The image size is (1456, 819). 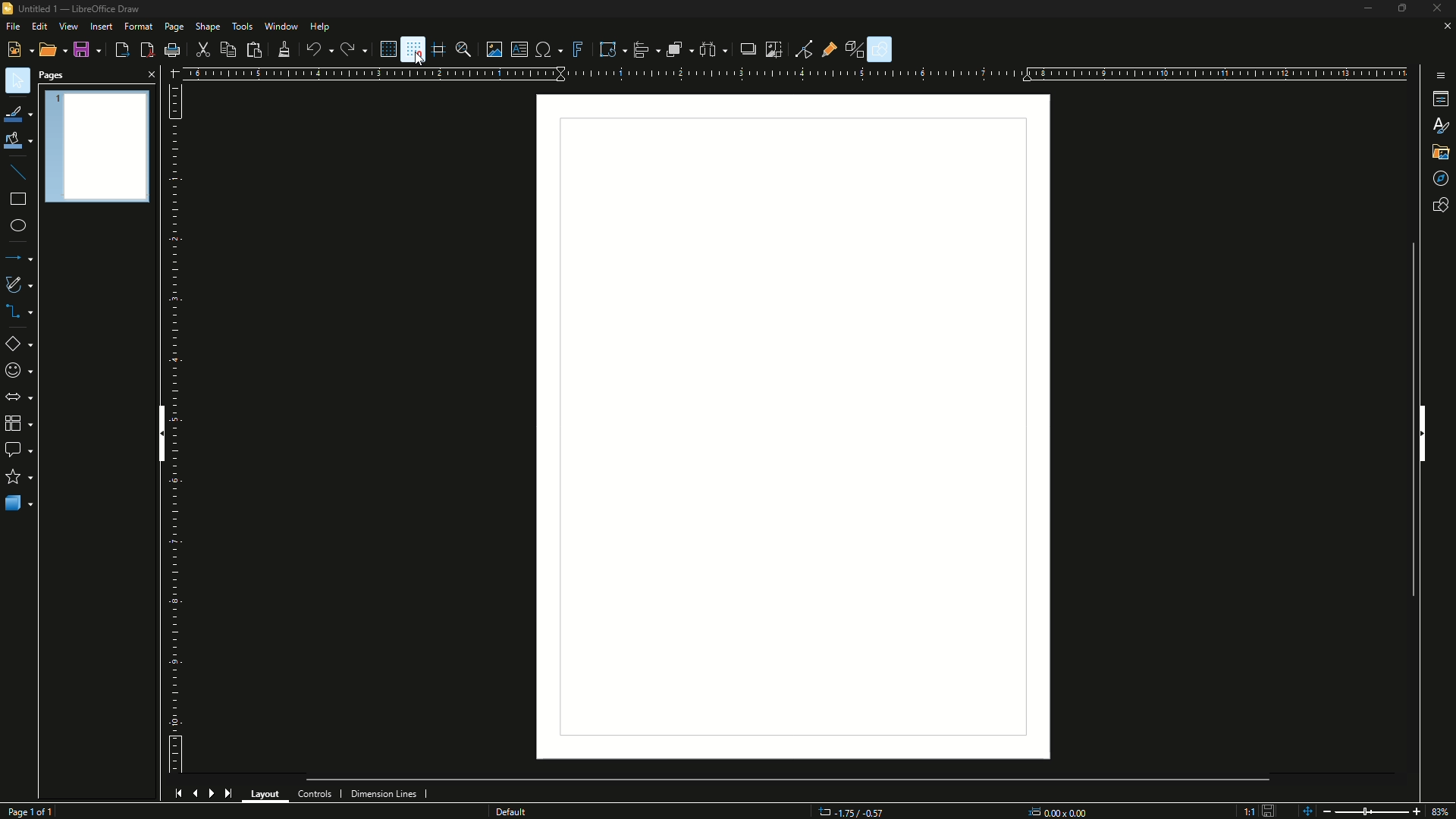 I want to click on Shape, so click(x=211, y=26).